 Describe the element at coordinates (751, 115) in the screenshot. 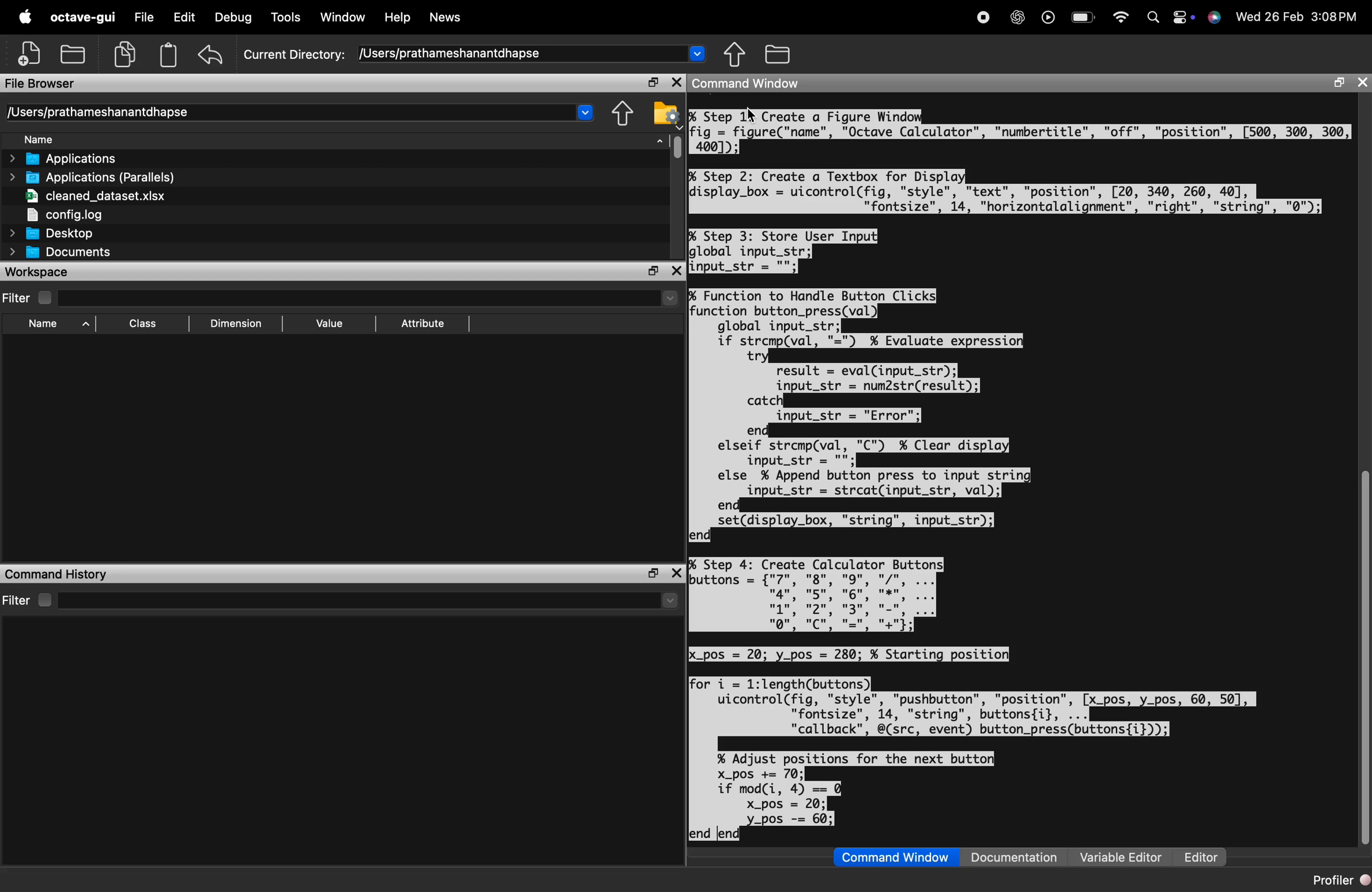

I see `cursor` at that location.